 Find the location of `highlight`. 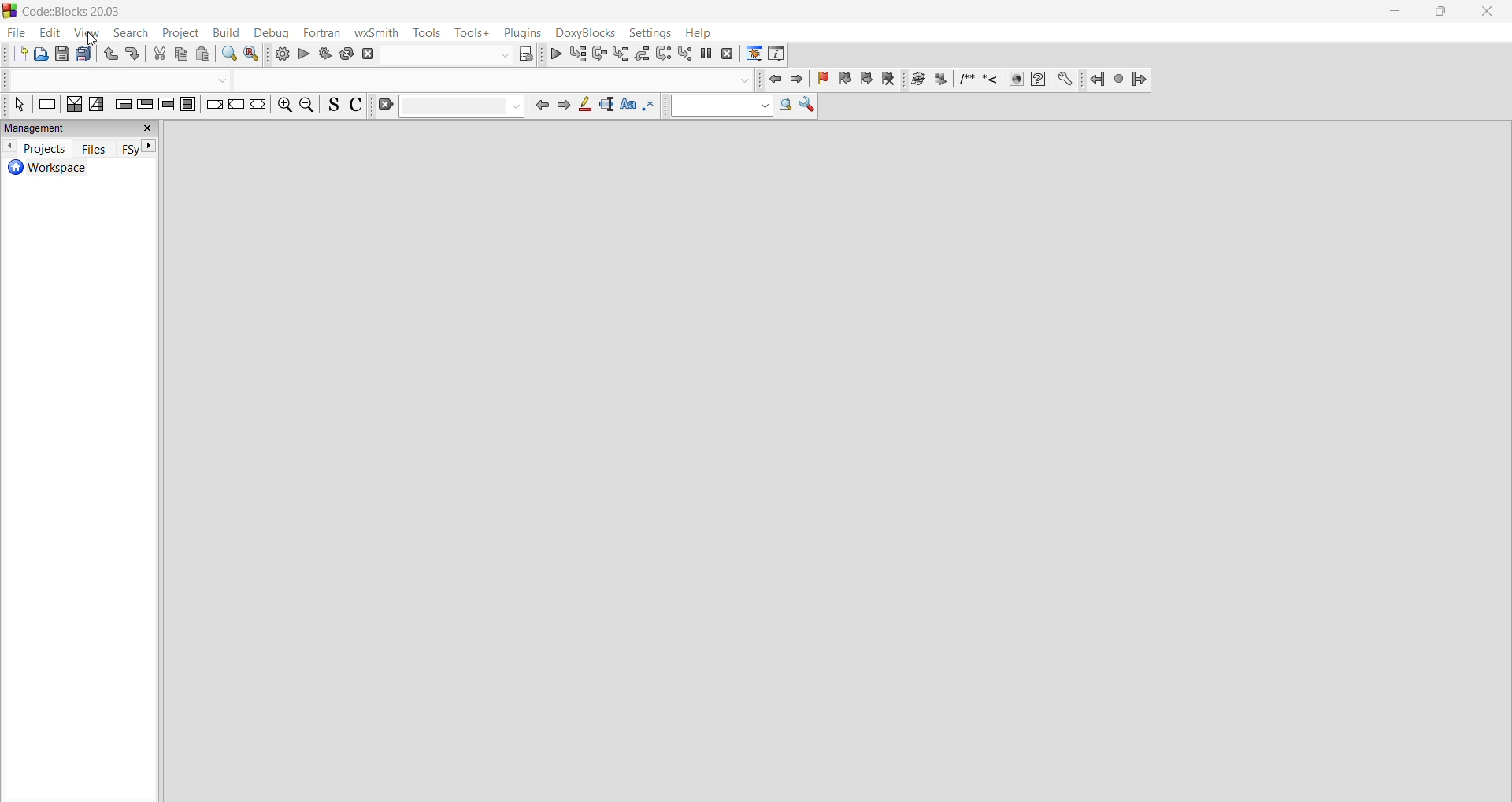

highlight is located at coordinates (584, 107).